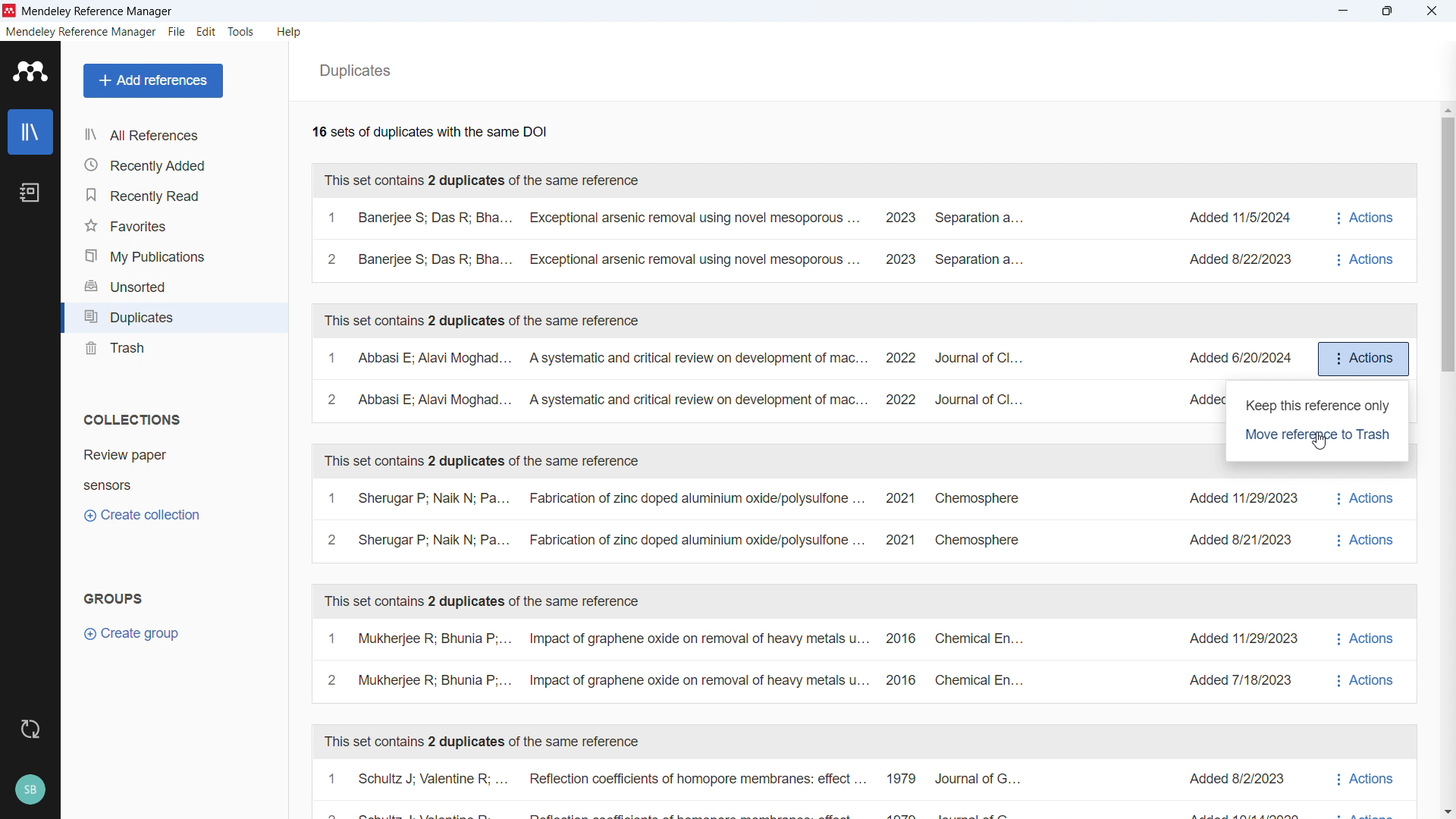 Image resolution: width=1456 pixels, height=819 pixels. What do you see at coordinates (486, 463) in the screenshot?
I see `This set contains 2 duplicates of the same reference` at bounding box center [486, 463].